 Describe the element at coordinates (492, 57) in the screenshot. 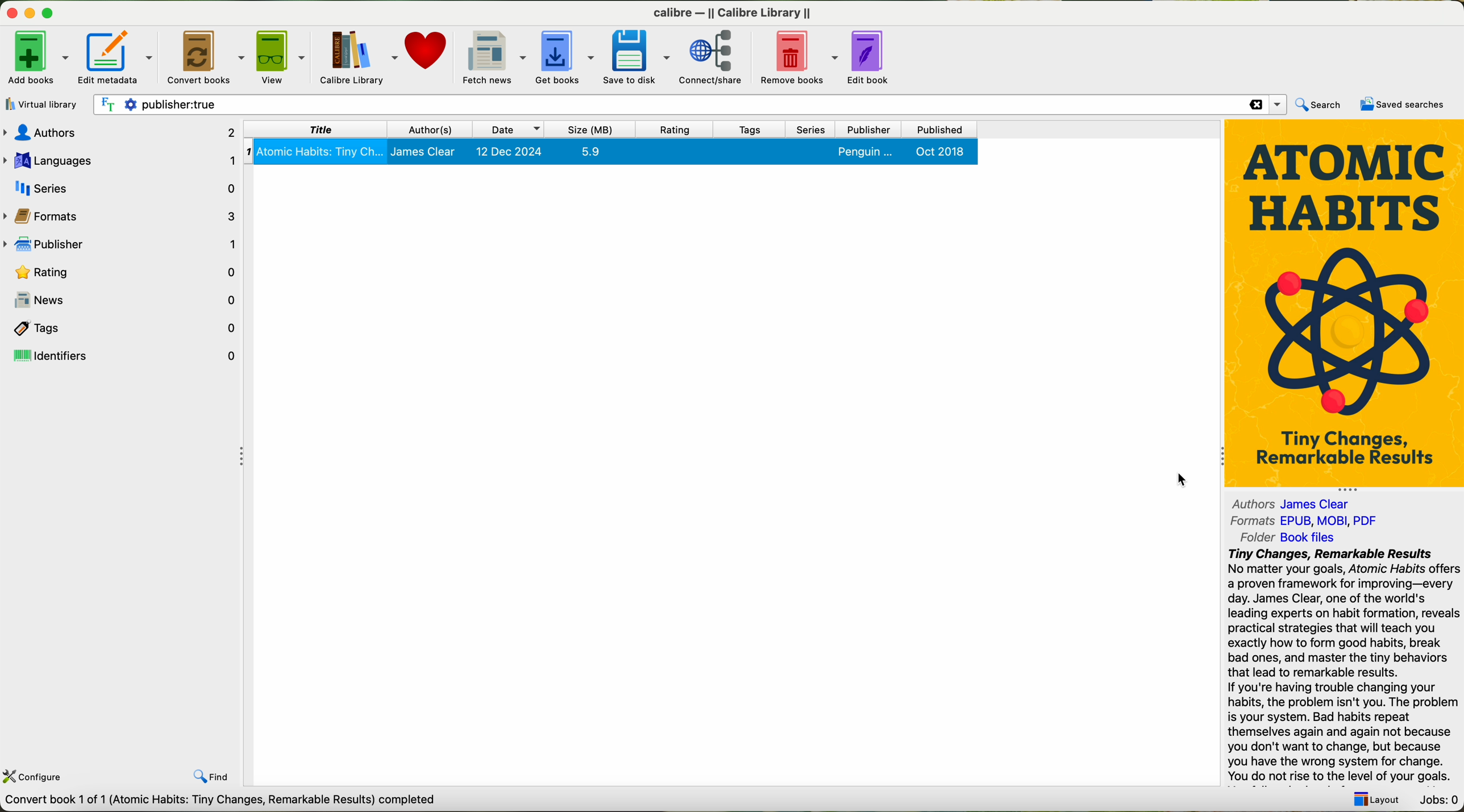

I see `fetch news` at that location.